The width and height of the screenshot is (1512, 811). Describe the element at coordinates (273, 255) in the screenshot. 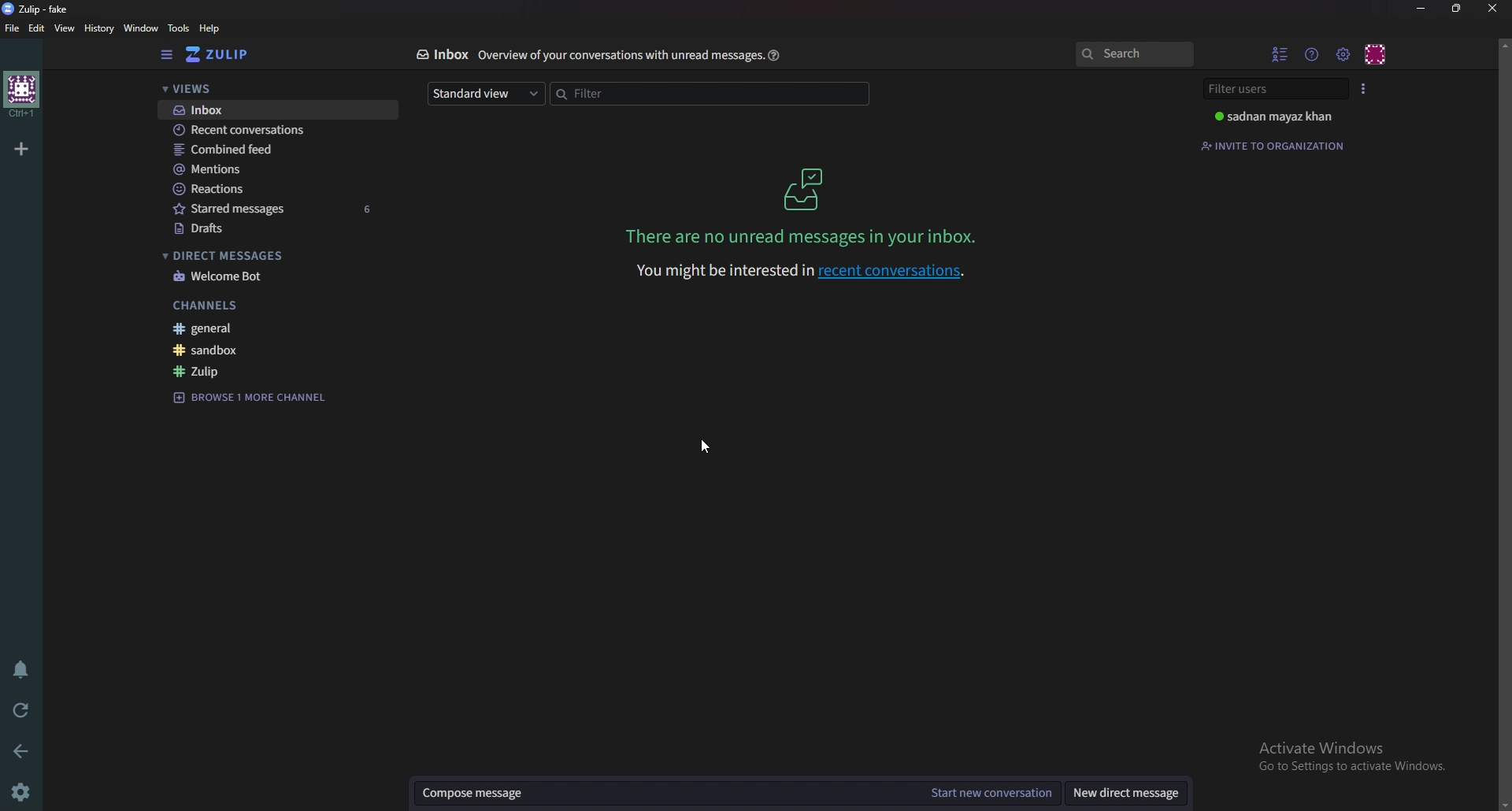

I see `Direct messages` at that location.